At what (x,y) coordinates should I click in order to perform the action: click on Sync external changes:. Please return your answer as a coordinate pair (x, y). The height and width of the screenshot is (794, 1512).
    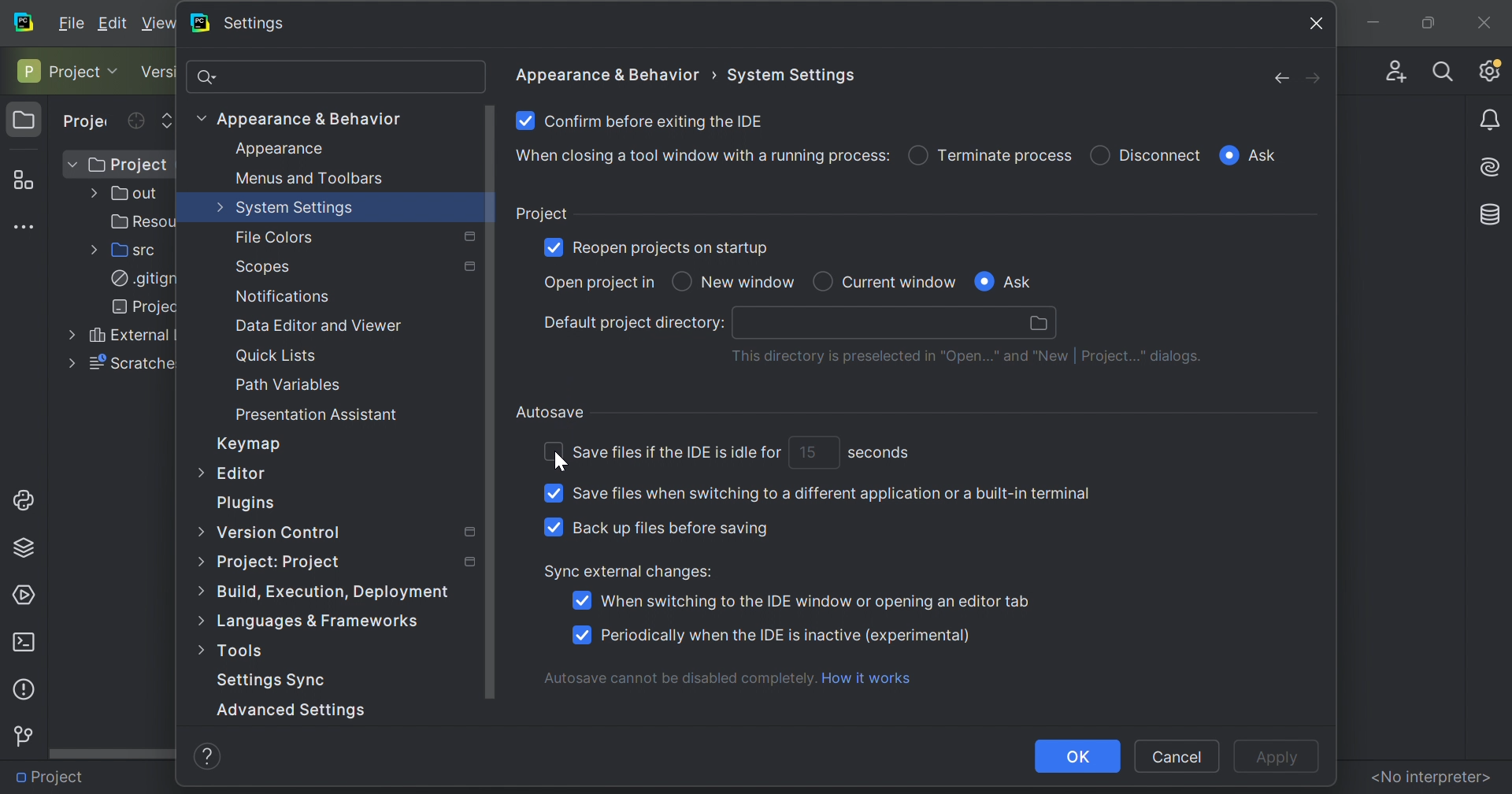
    Looking at the image, I should click on (631, 573).